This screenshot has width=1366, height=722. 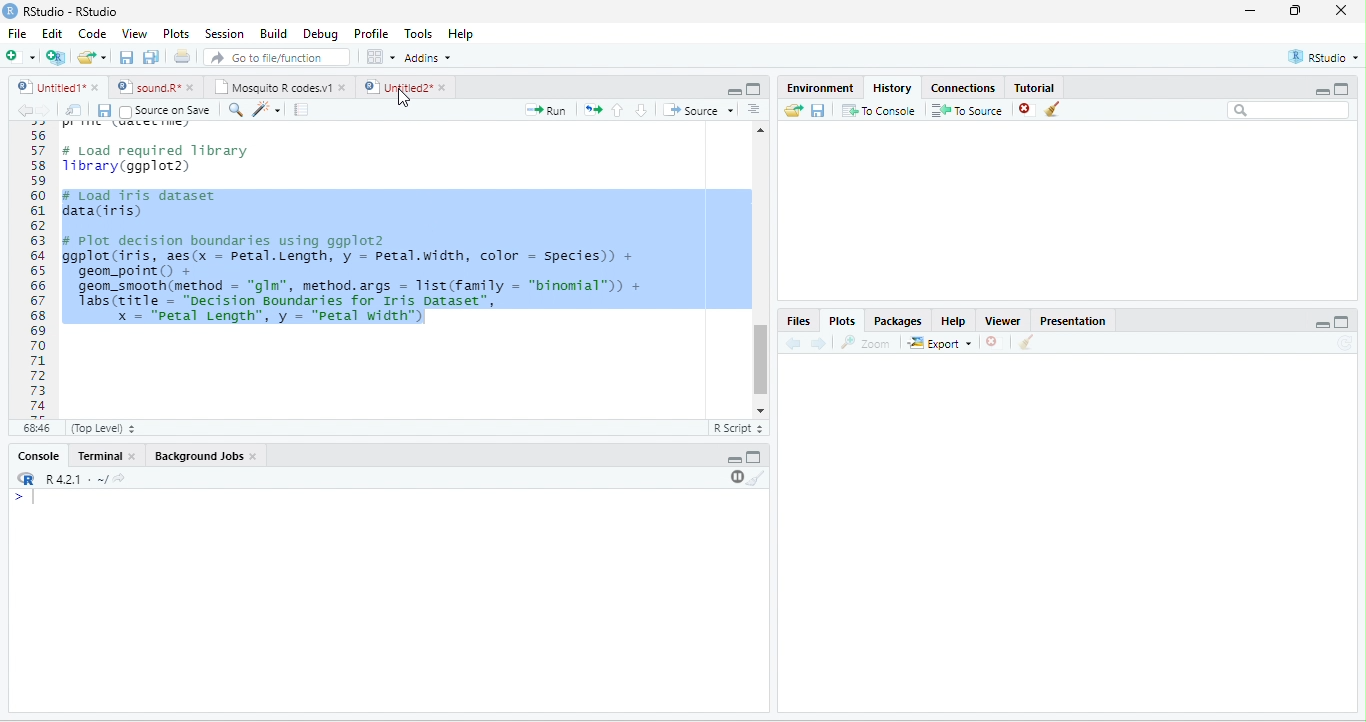 What do you see at coordinates (940, 344) in the screenshot?
I see `Export` at bounding box center [940, 344].